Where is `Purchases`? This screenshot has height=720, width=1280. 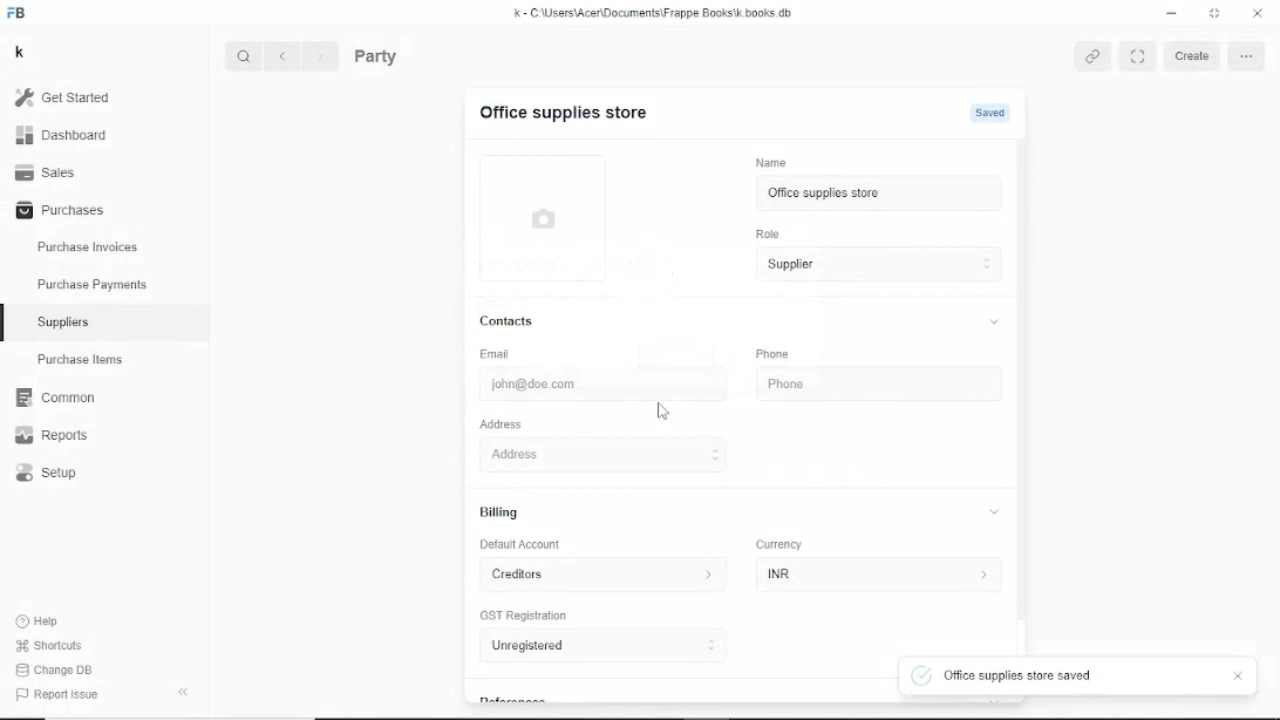 Purchases is located at coordinates (58, 211).